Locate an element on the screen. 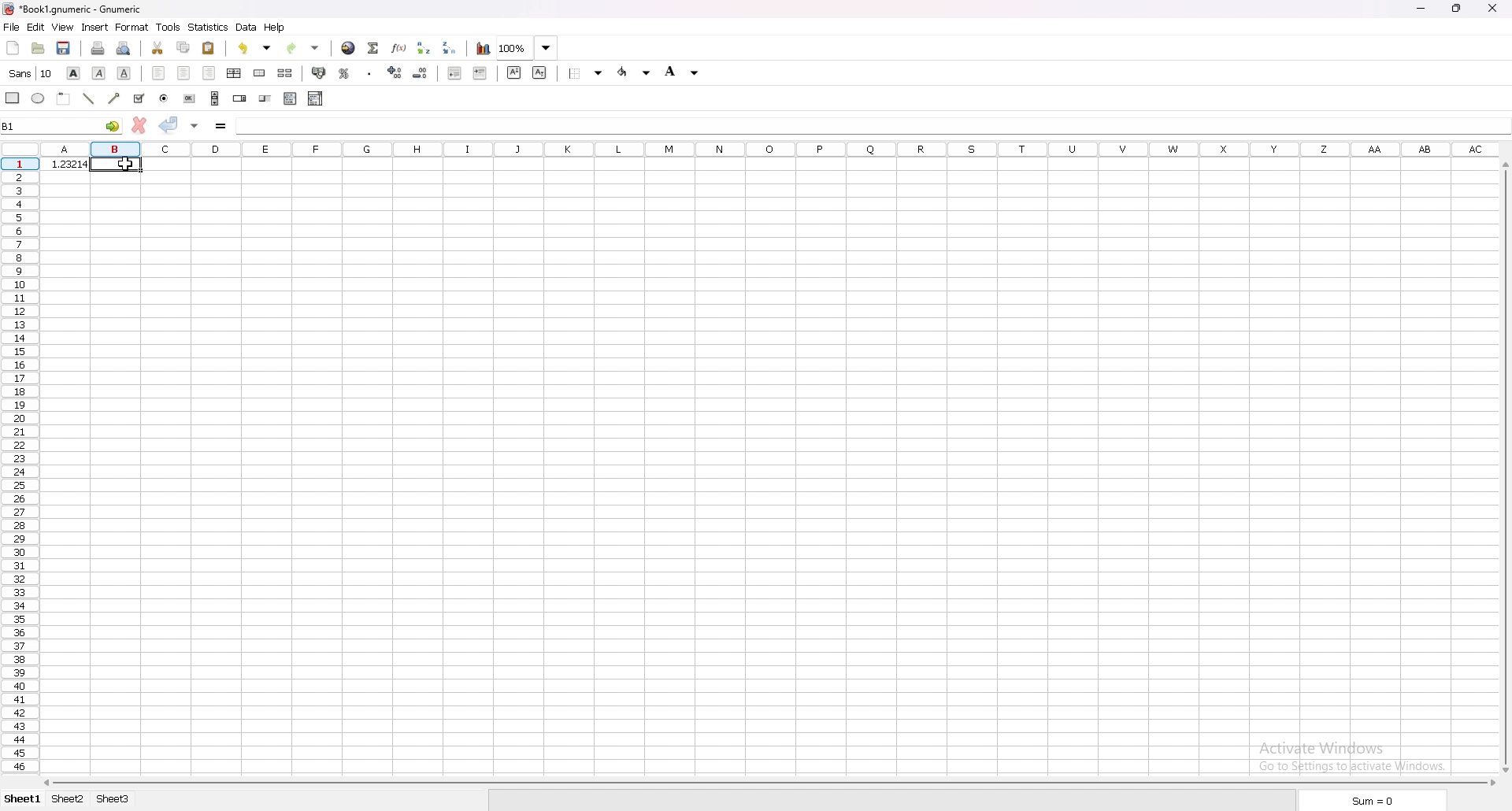 This screenshot has width=1512, height=811. accounting is located at coordinates (319, 72).